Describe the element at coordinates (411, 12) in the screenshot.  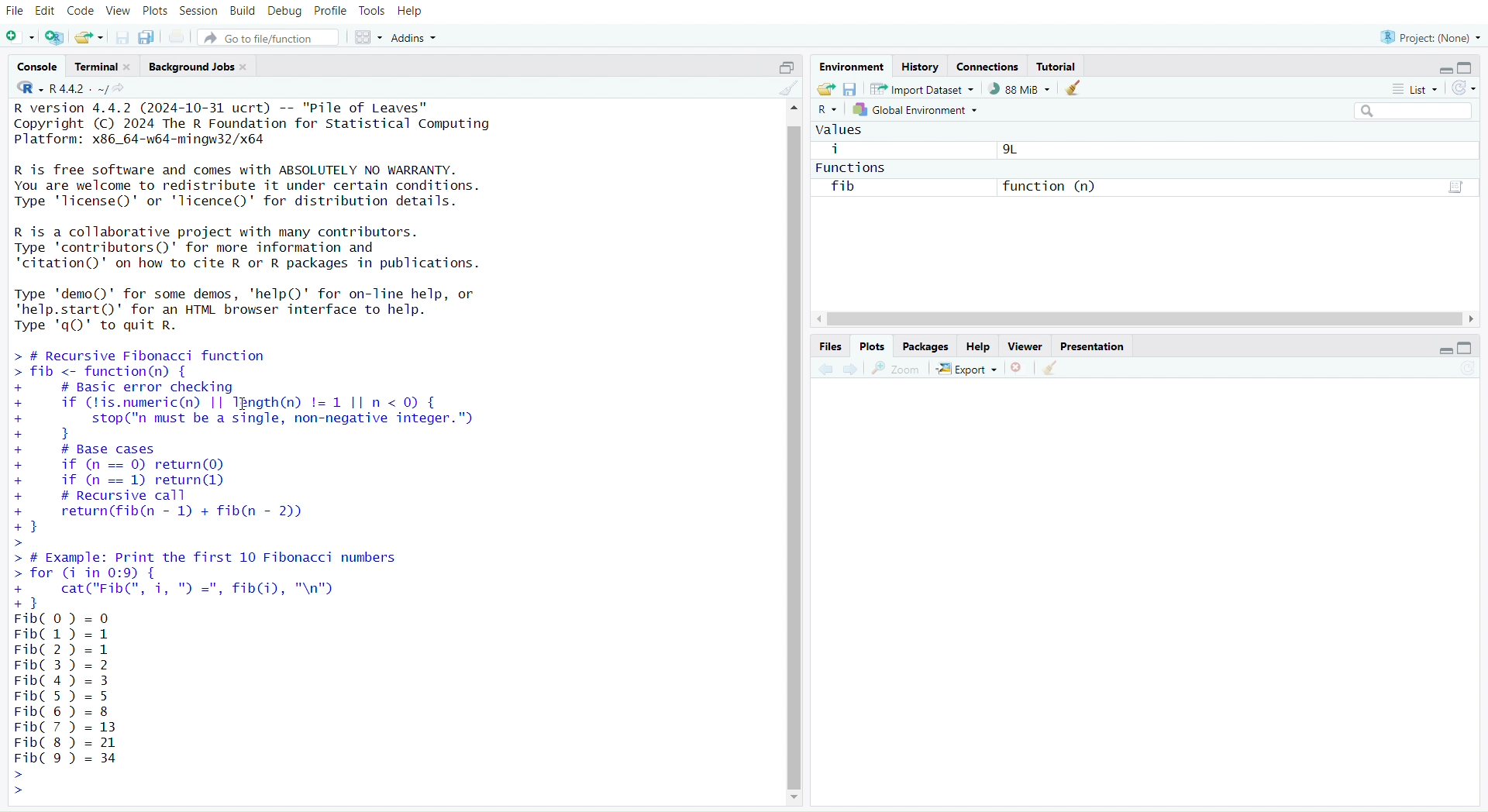
I see `help` at that location.